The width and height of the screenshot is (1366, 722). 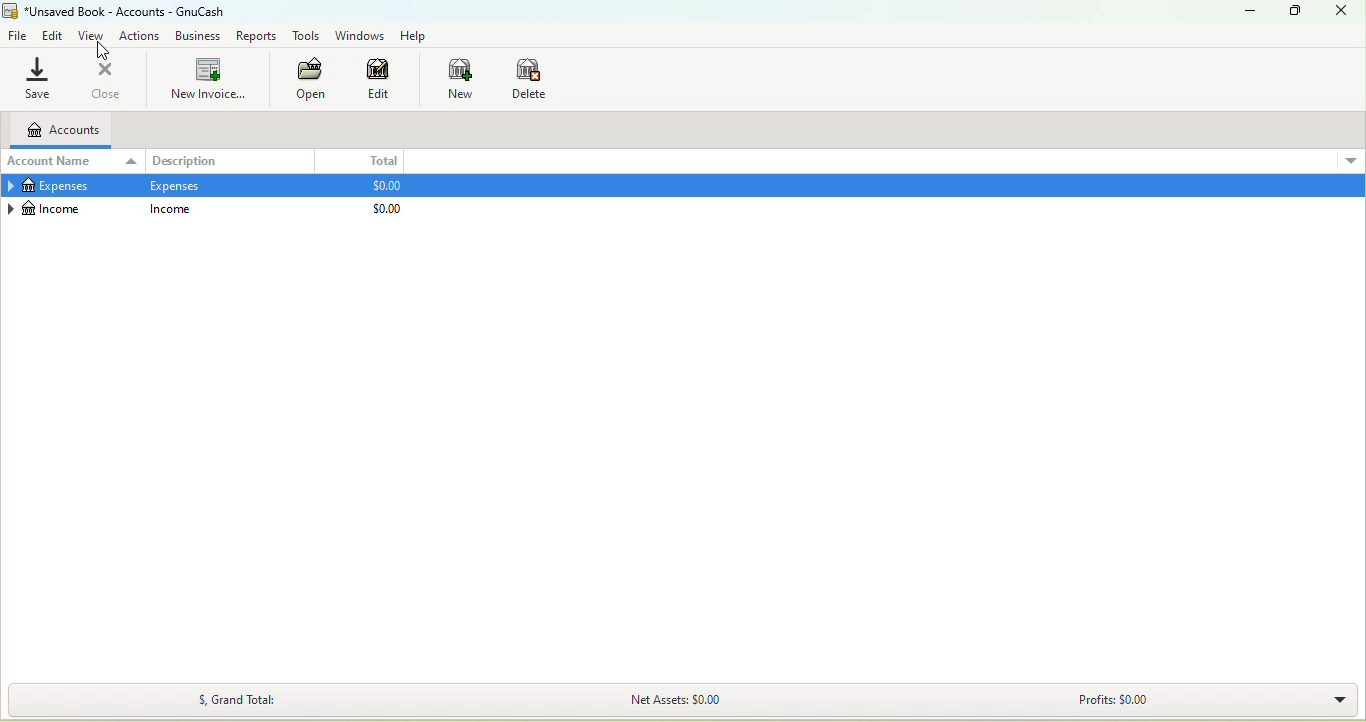 What do you see at coordinates (387, 209) in the screenshot?
I see `$0.00` at bounding box center [387, 209].